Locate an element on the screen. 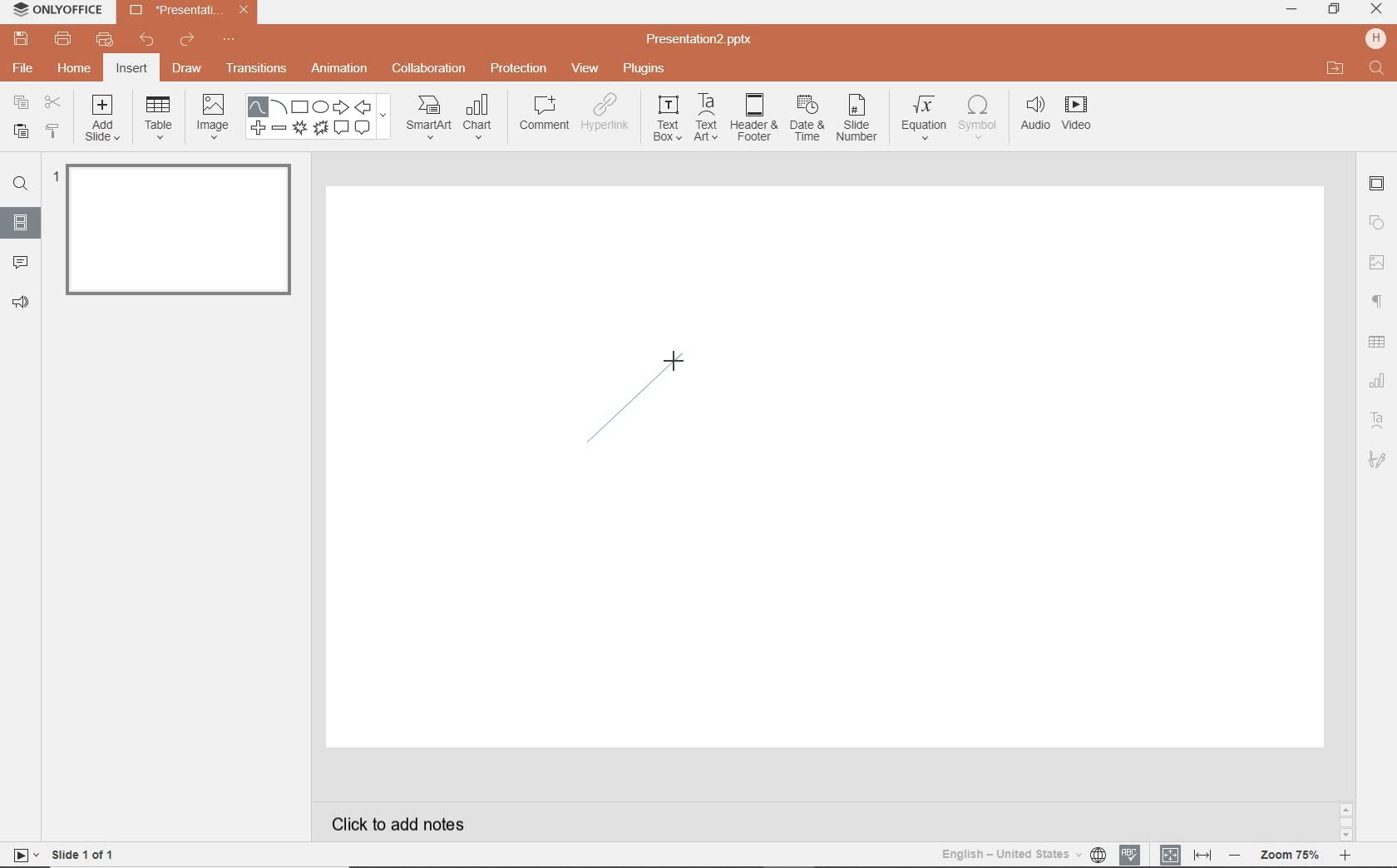  FIND is located at coordinates (1376, 69).